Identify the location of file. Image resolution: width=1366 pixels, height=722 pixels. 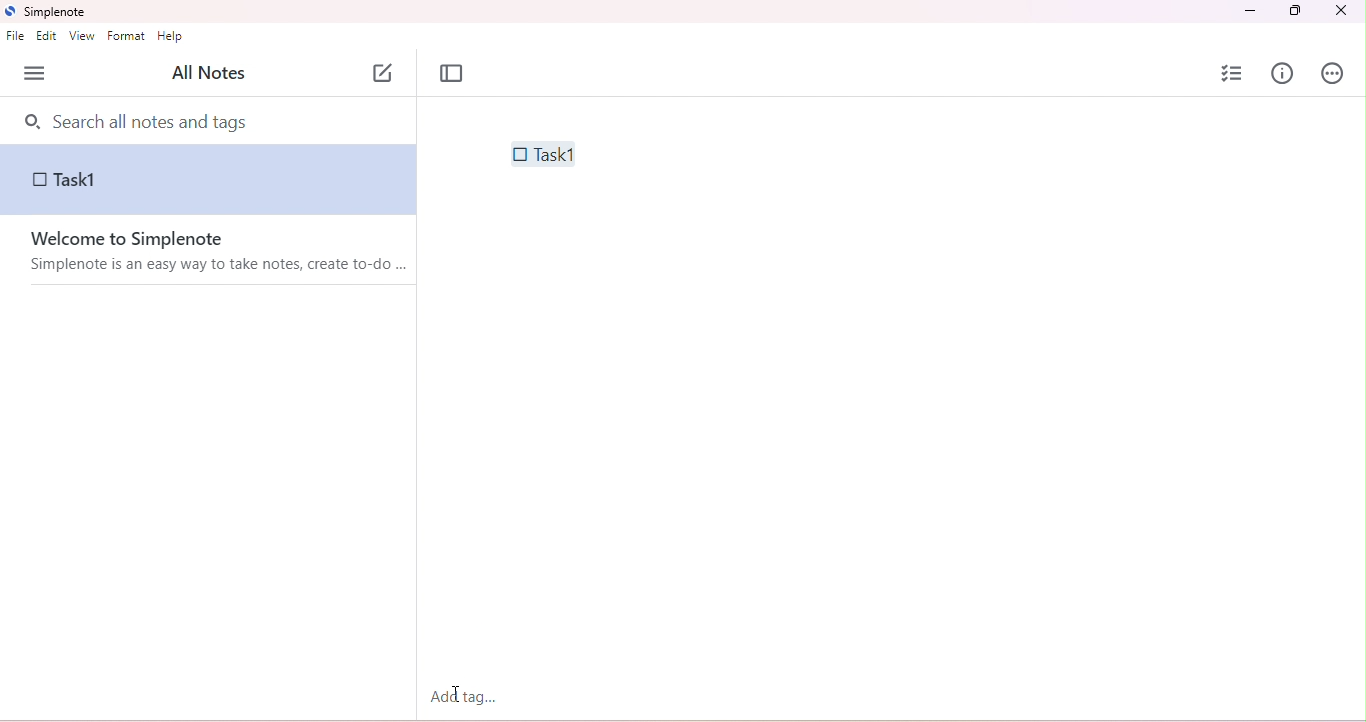
(15, 37).